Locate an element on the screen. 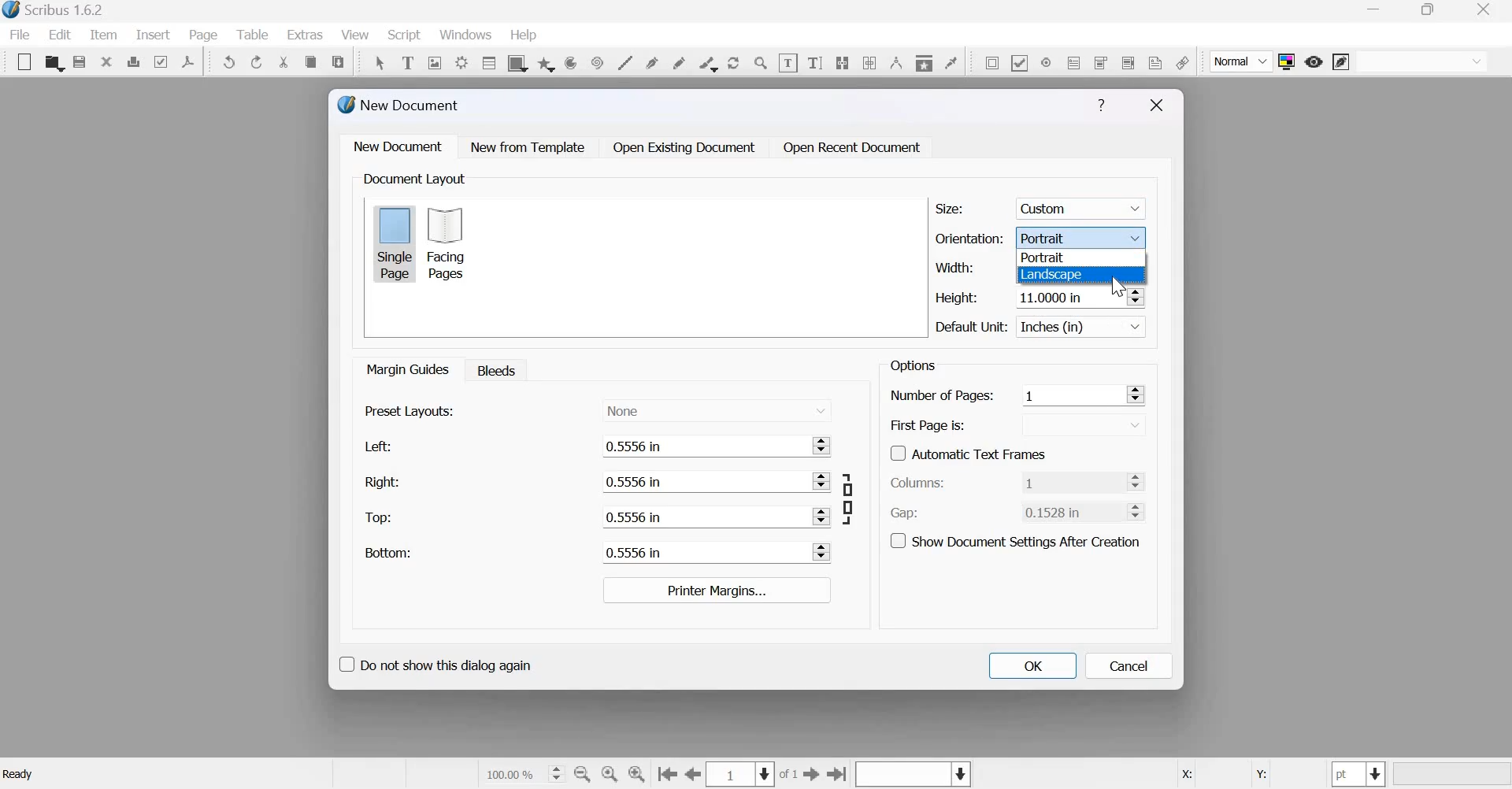 The height and width of the screenshot is (789, 1512). OK is located at coordinates (1032, 665).